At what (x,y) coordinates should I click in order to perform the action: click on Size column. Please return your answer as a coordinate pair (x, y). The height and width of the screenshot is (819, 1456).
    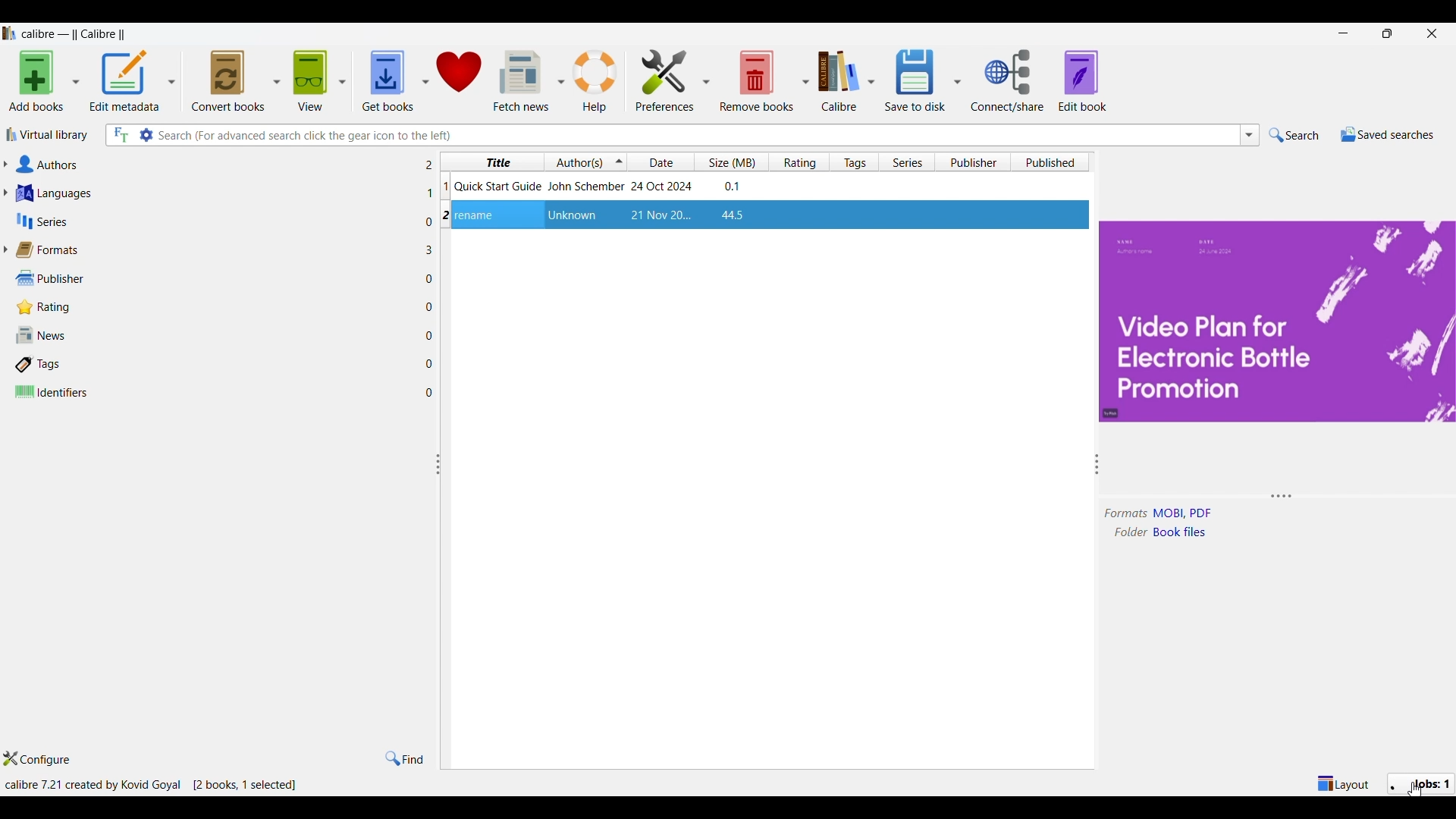
    Looking at the image, I should click on (731, 162).